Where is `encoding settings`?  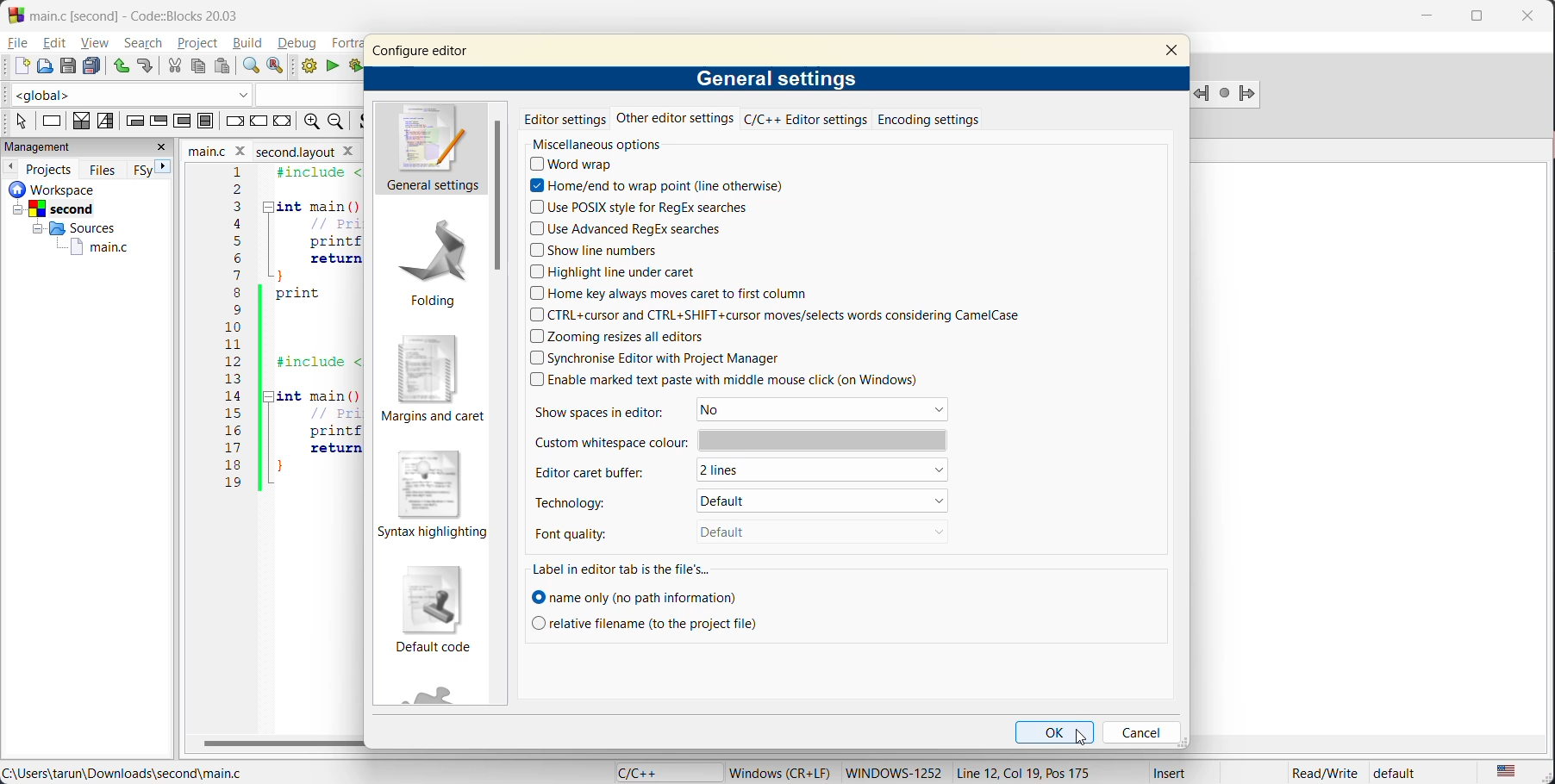 encoding settings is located at coordinates (927, 121).